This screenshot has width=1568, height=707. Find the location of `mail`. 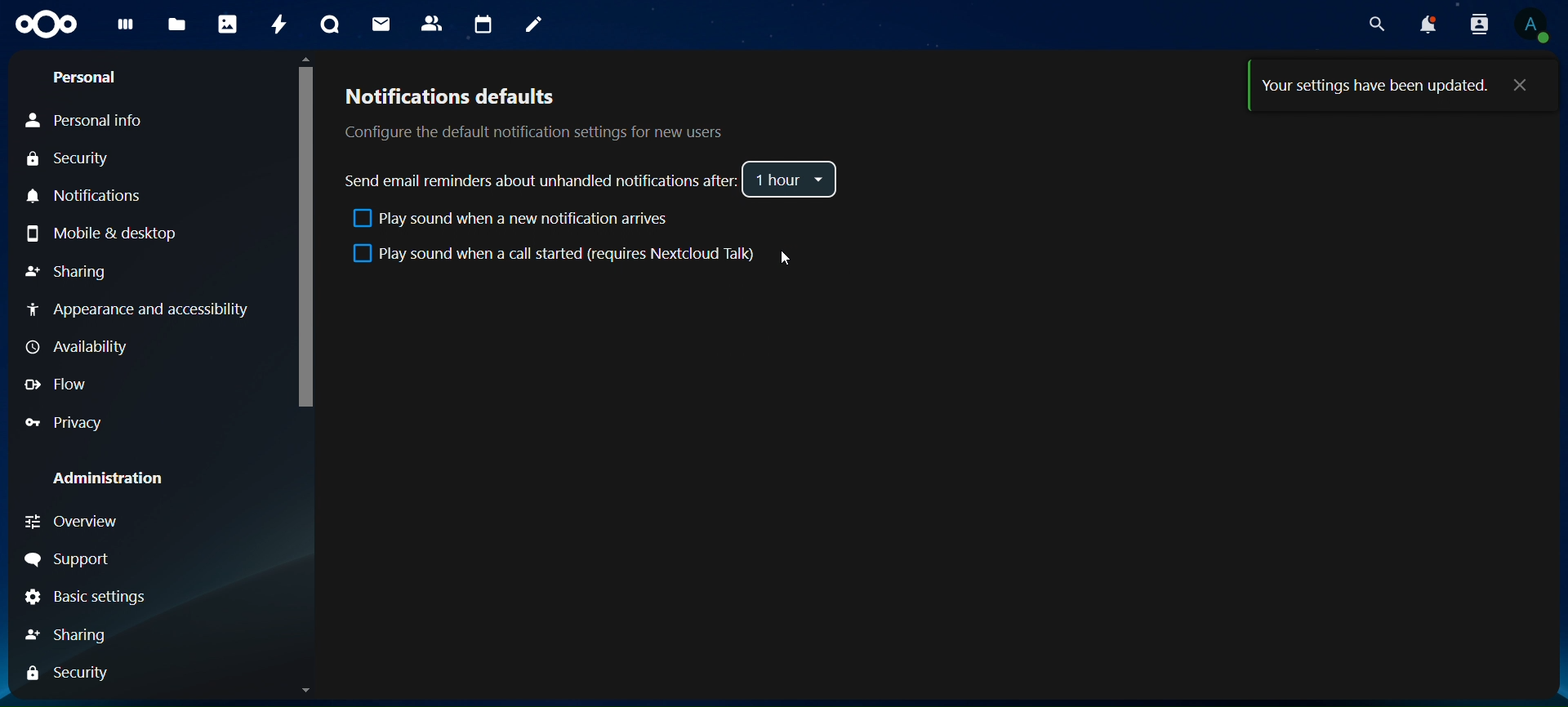

mail is located at coordinates (383, 23).